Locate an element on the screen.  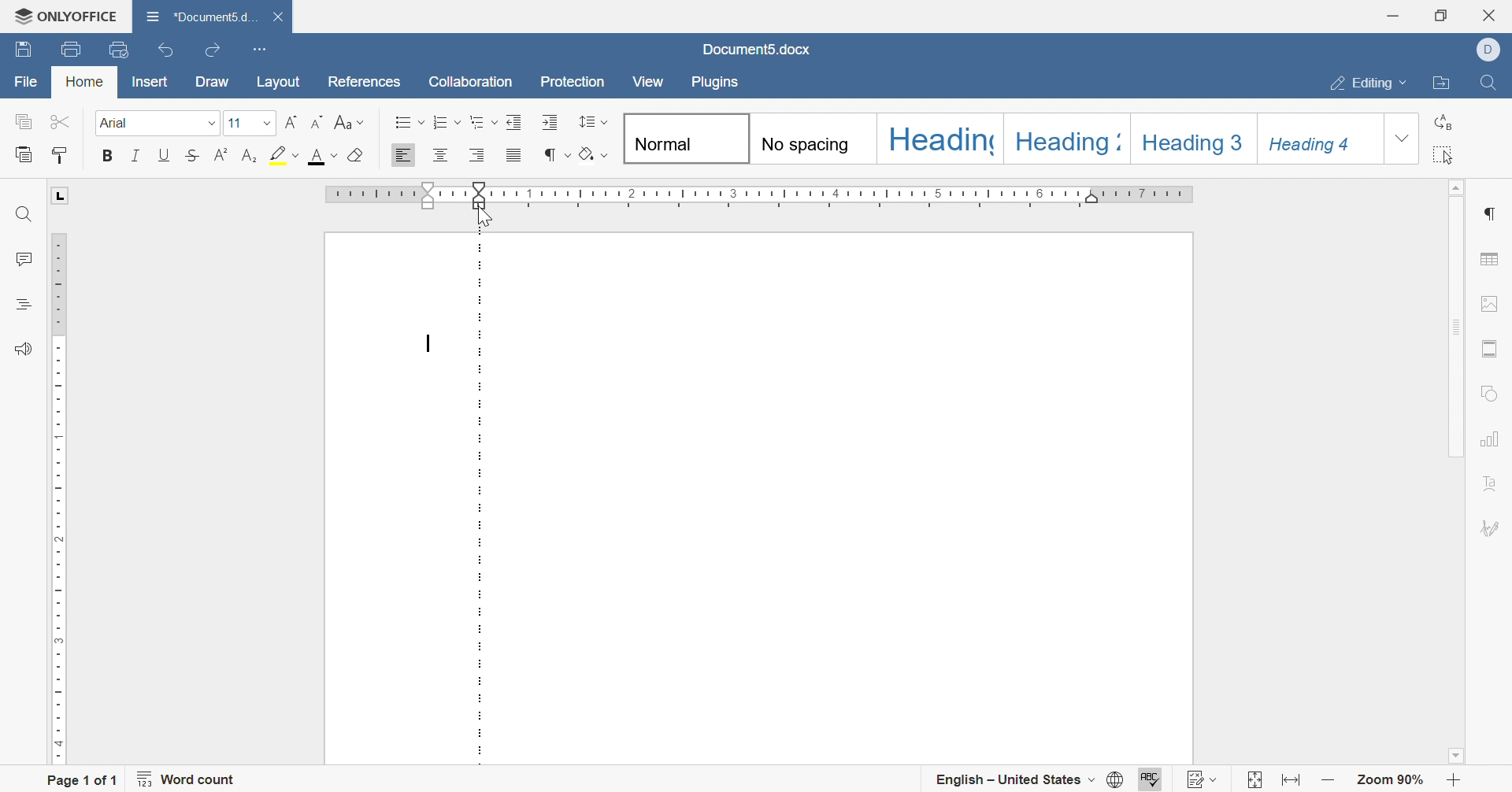
decrement font size is located at coordinates (317, 121).